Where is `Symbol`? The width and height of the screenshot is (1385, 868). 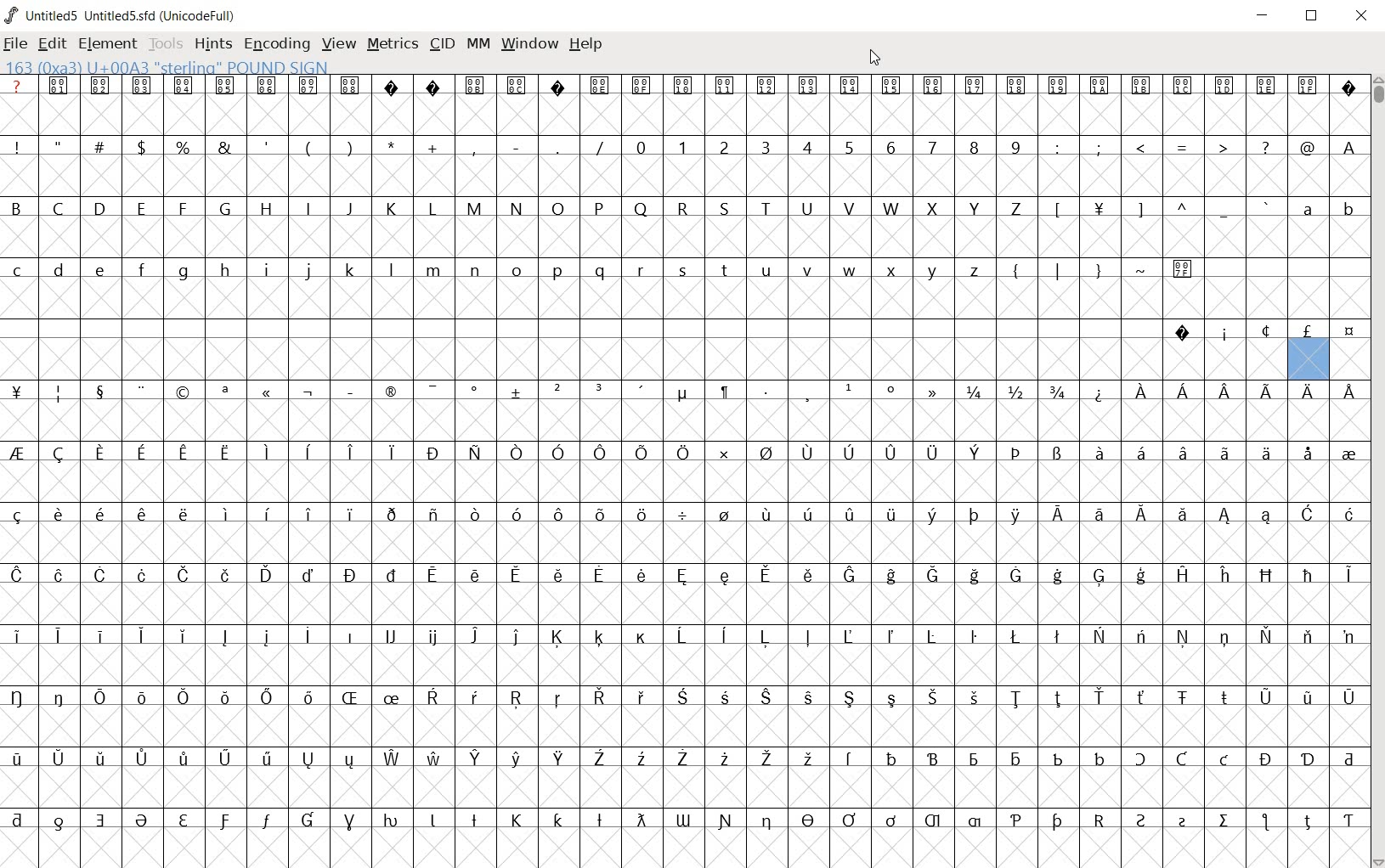 Symbol is located at coordinates (1309, 516).